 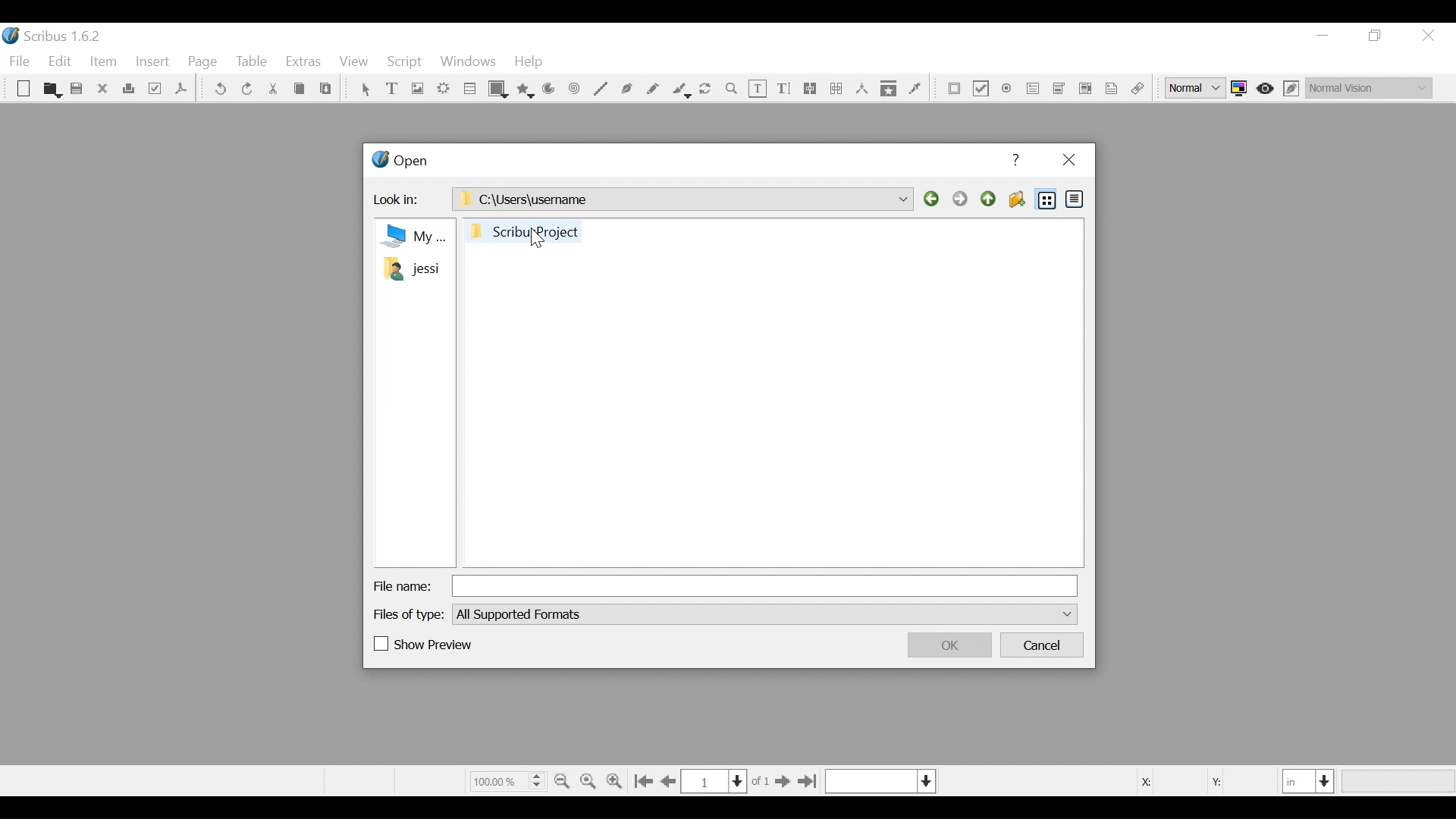 What do you see at coordinates (707, 89) in the screenshot?
I see `Rotate image` at bounding box center [707, 89].